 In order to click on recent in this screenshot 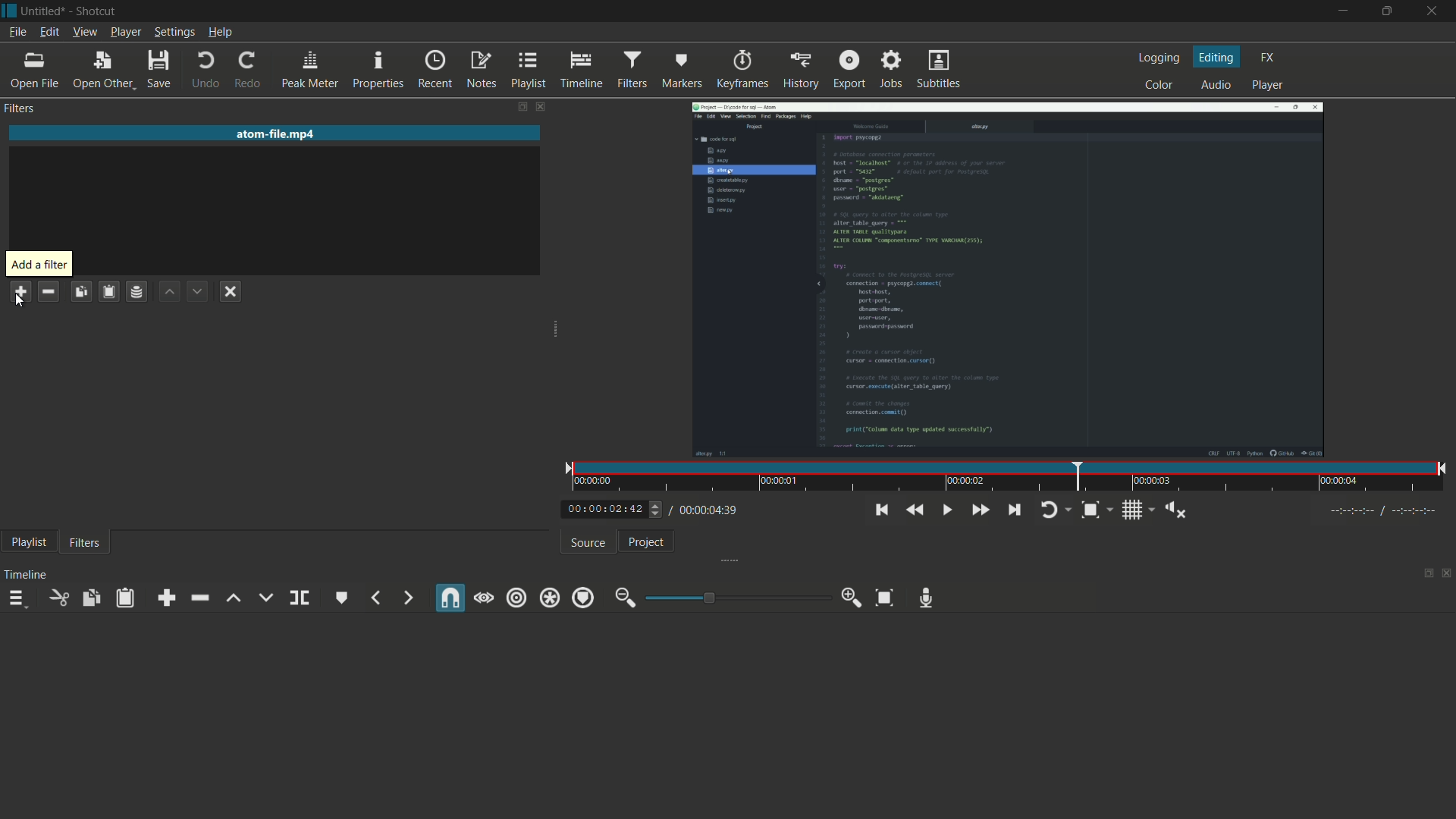, I will do `click(435, 70)`.